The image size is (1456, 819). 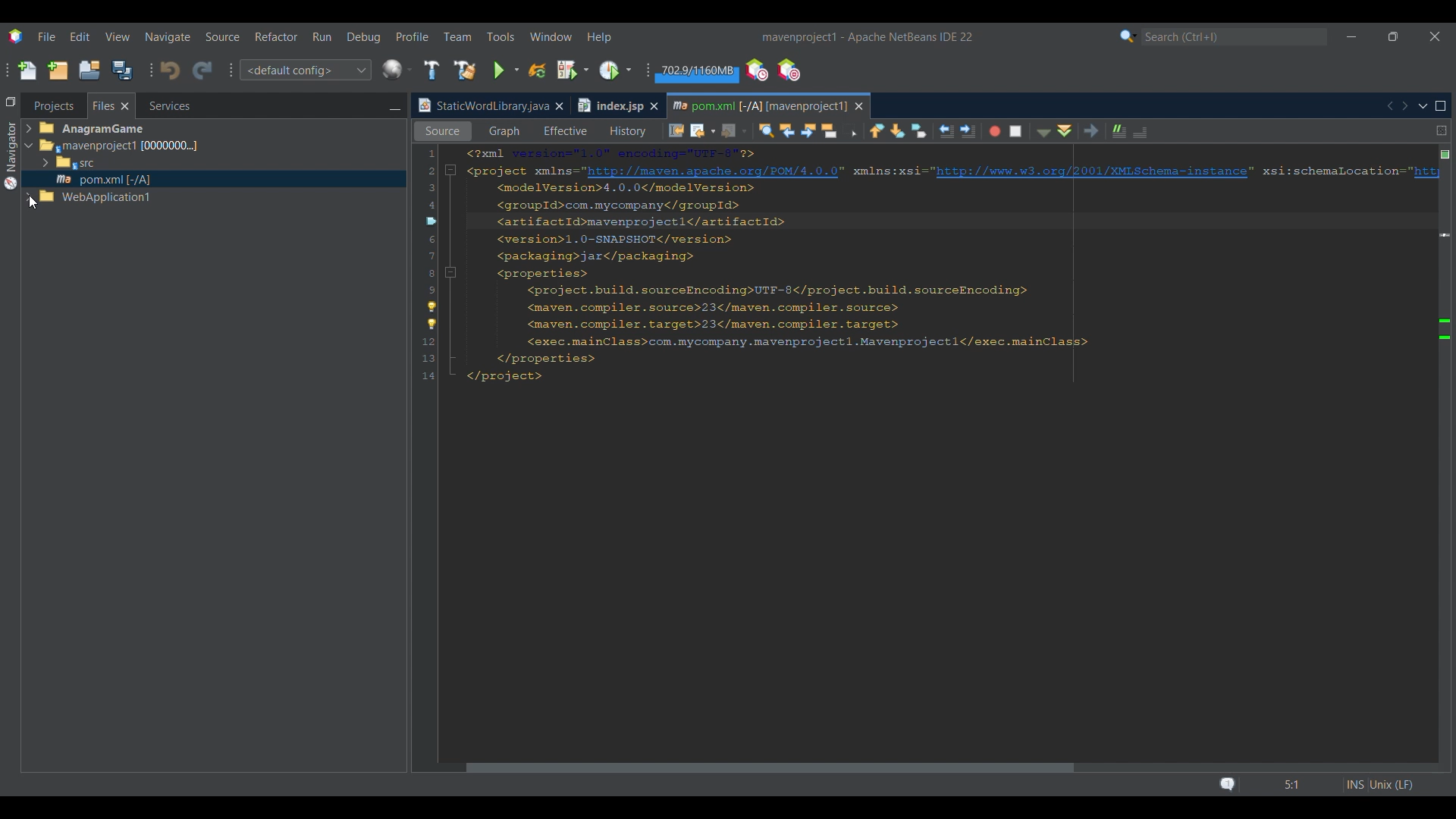 What do you see at coordinates (16, 37) in the screenshot?
I see `Software logo` at bounding box center [16, 37].